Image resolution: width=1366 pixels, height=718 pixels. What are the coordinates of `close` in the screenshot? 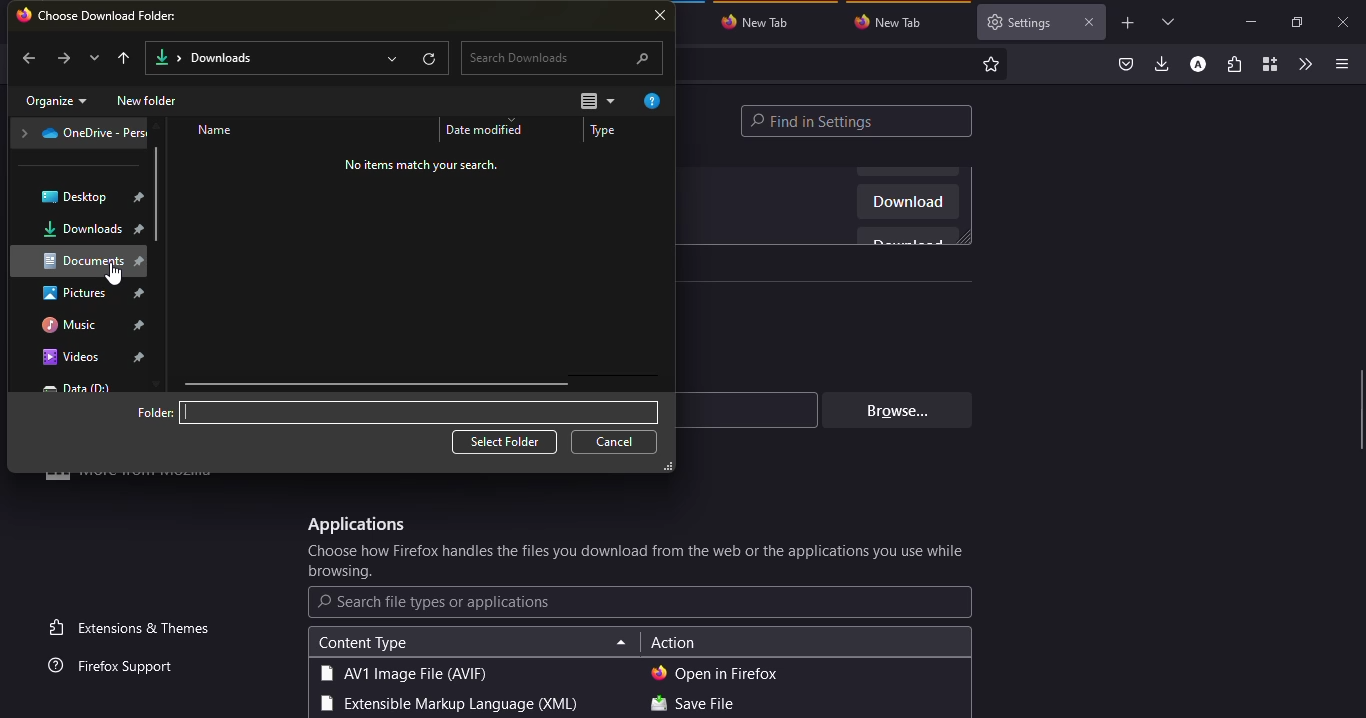 It's located at (1345, 23).